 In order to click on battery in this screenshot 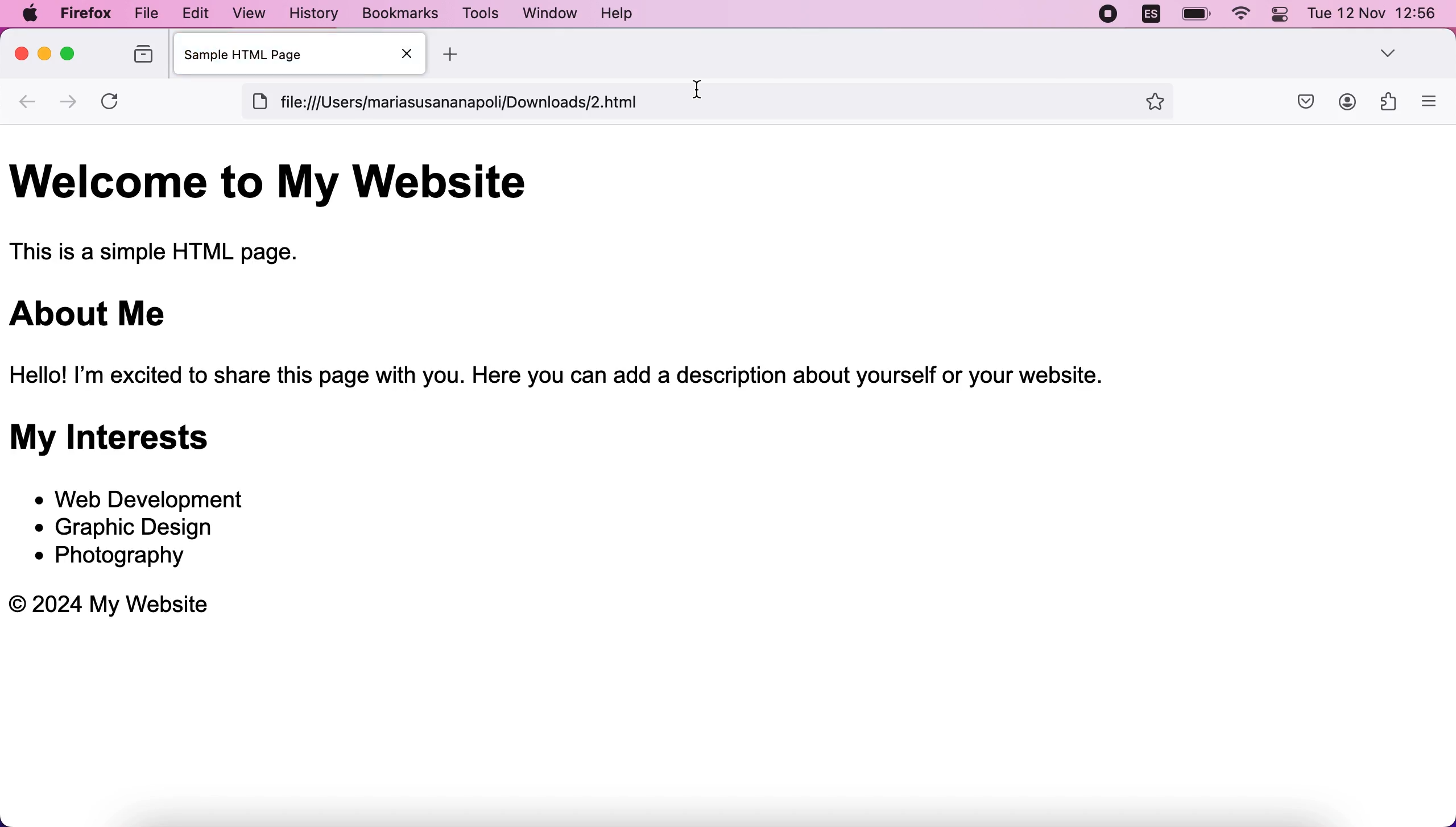, I will do `click(1195, 14)`.